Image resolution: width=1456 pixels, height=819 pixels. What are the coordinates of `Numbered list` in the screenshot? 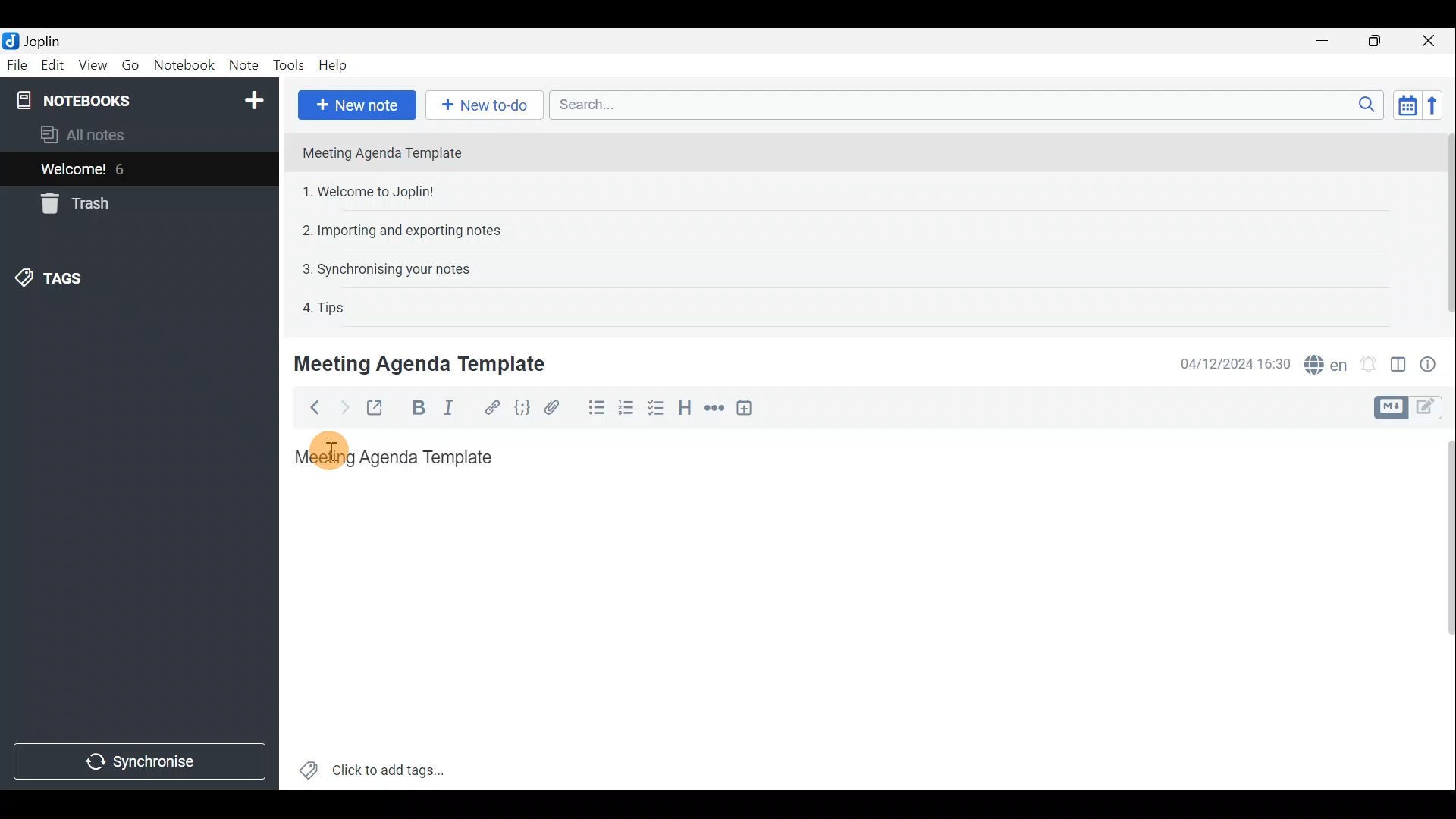 It's located at (626, 410).